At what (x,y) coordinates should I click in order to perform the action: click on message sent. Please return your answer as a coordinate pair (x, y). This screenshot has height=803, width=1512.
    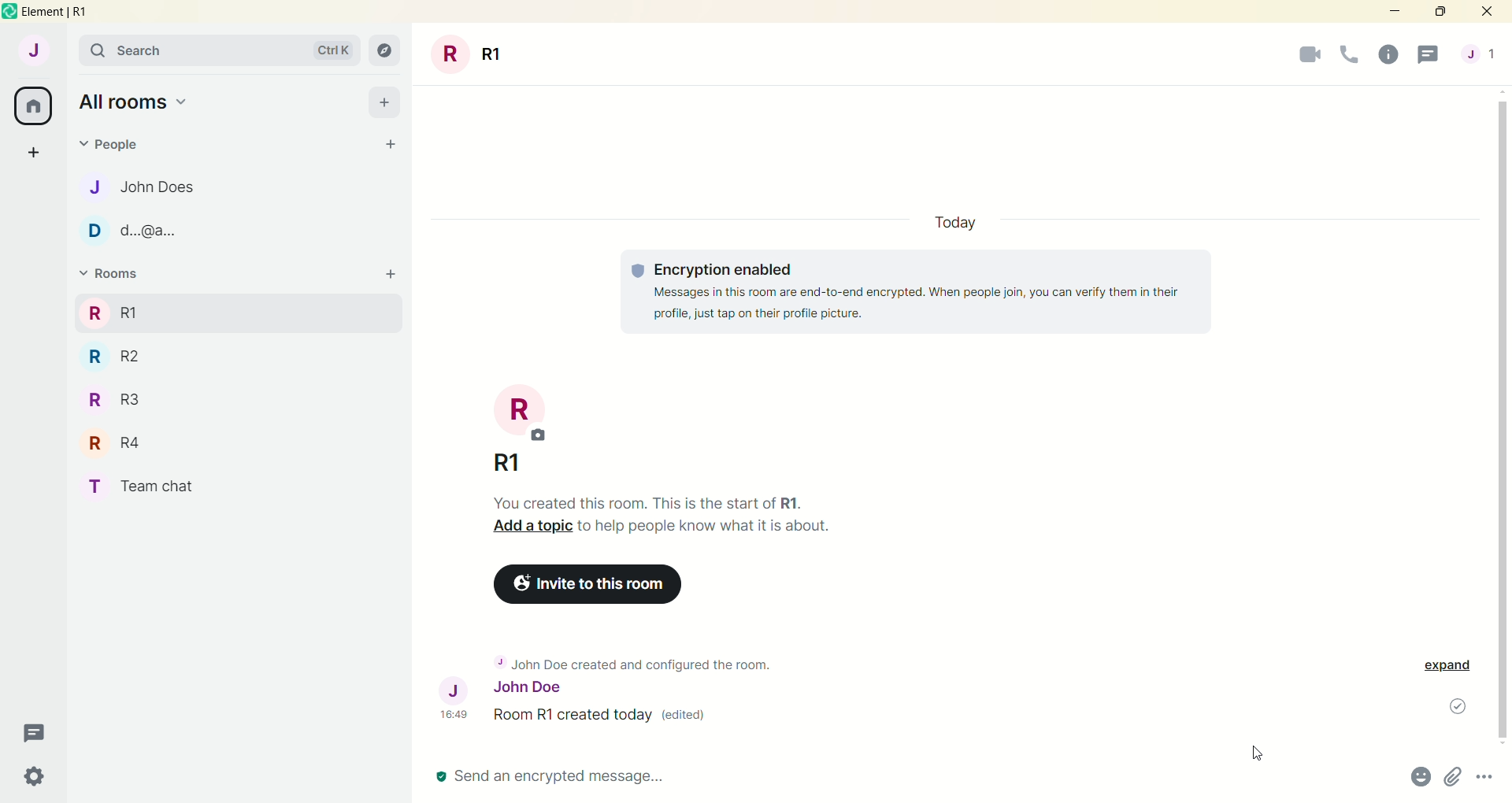
    Looking at the image, I should click on (1448, 707).